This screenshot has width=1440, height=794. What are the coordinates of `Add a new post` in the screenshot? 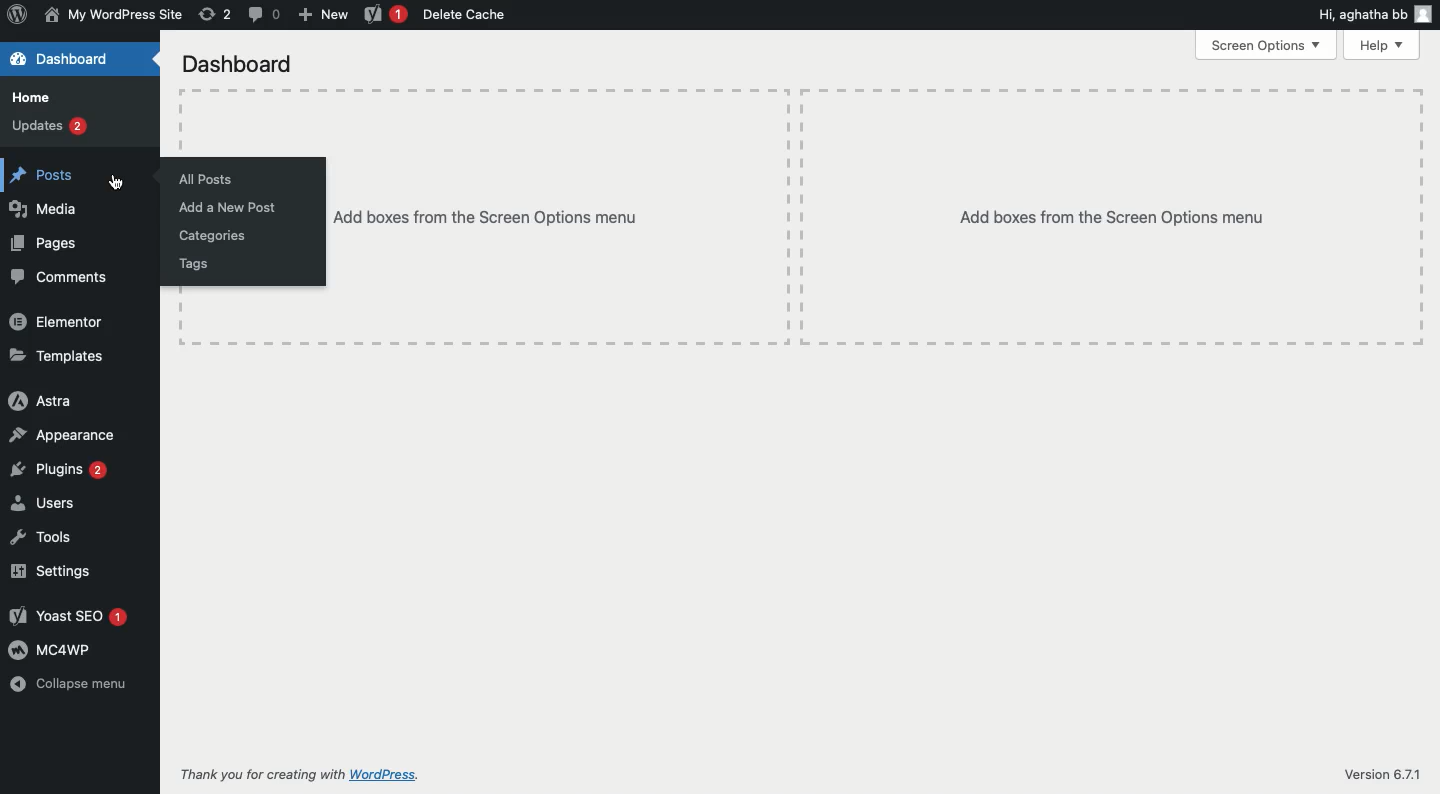 It's located at (229, 208).